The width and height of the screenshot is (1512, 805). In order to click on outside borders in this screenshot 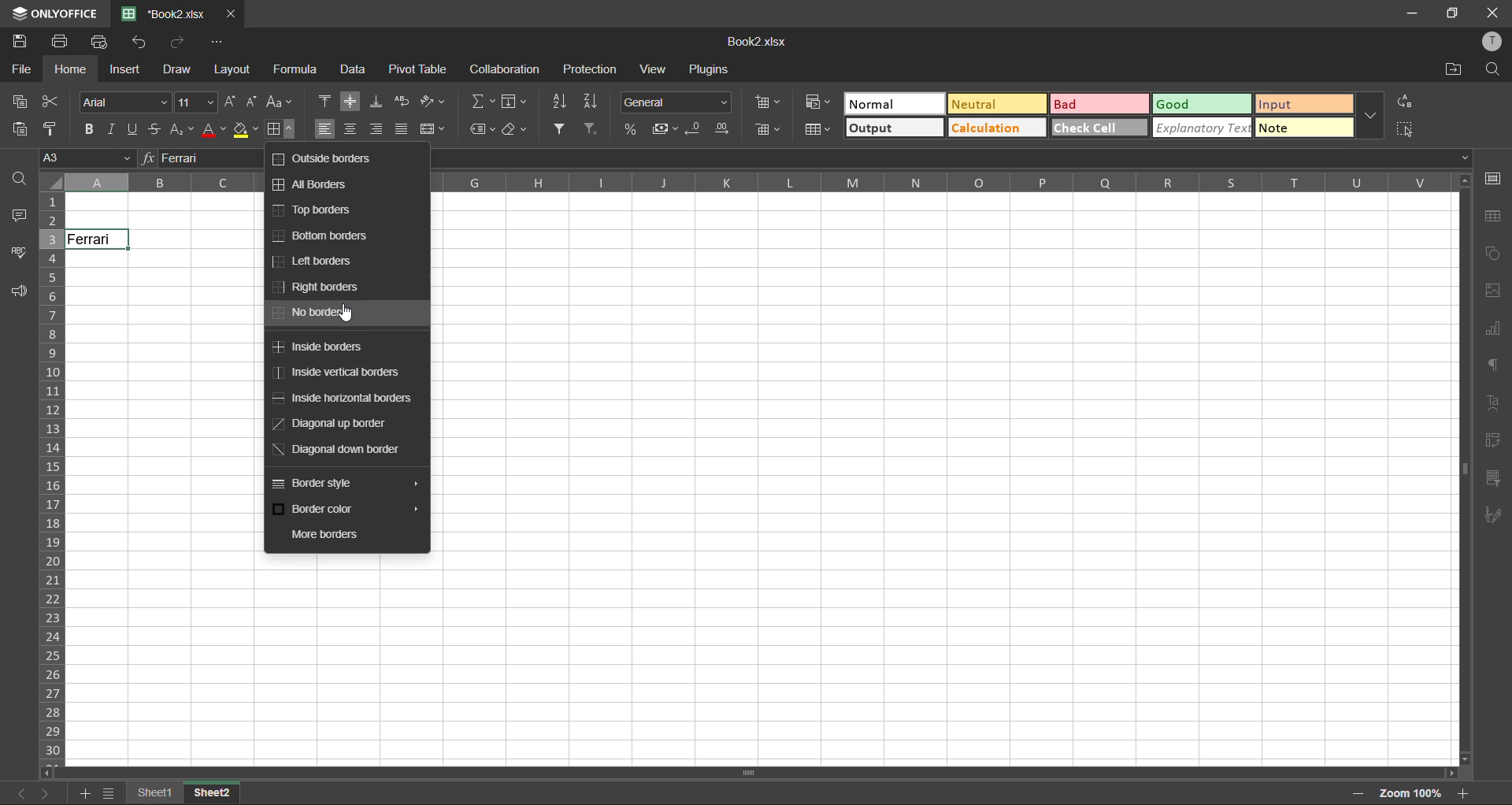, I will do `click(327, 161)`.